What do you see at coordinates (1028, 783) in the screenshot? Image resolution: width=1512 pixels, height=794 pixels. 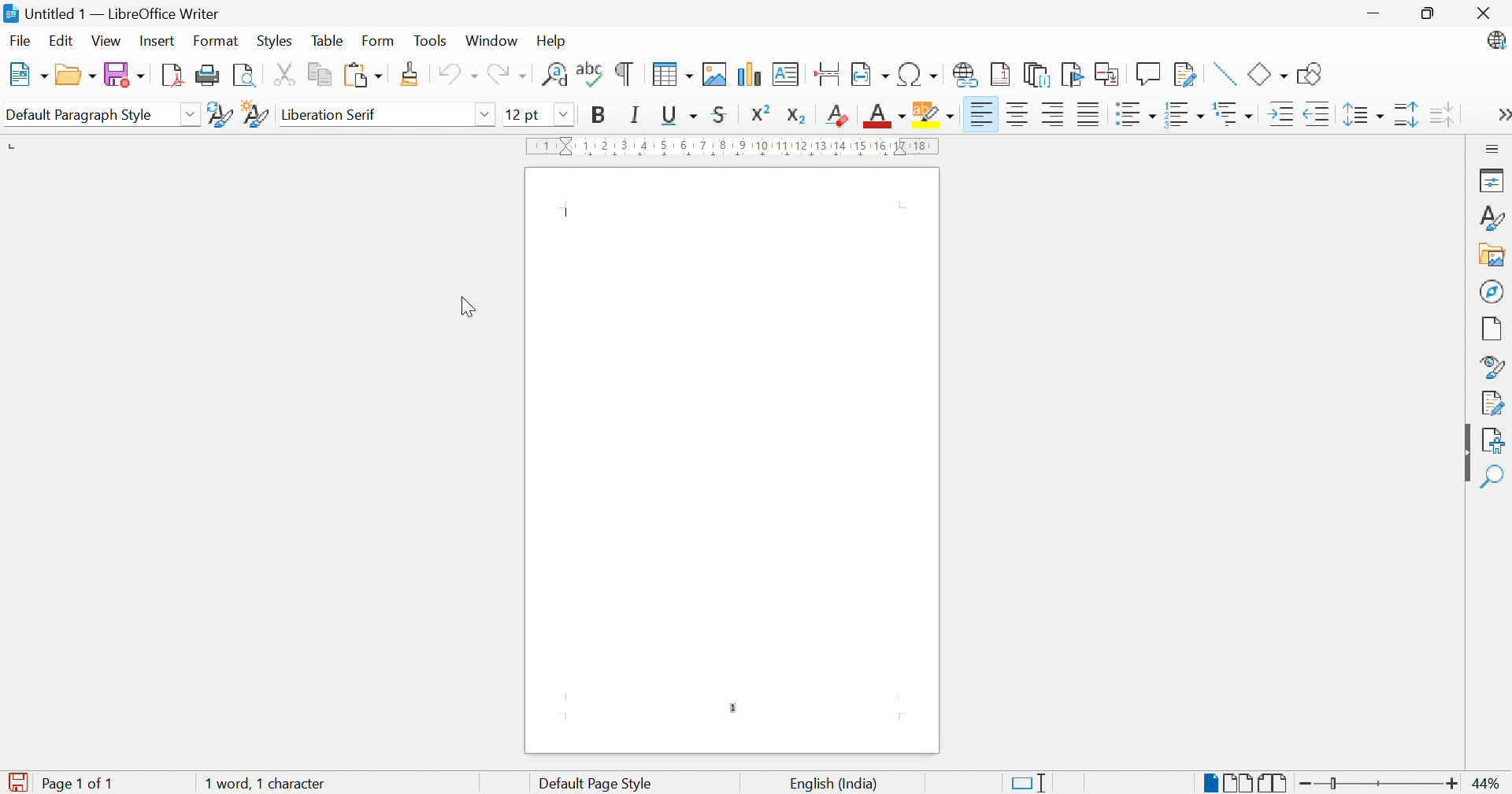 I see `Standard selection. Click to change selection mode.` at bounding box center [1028, 783].